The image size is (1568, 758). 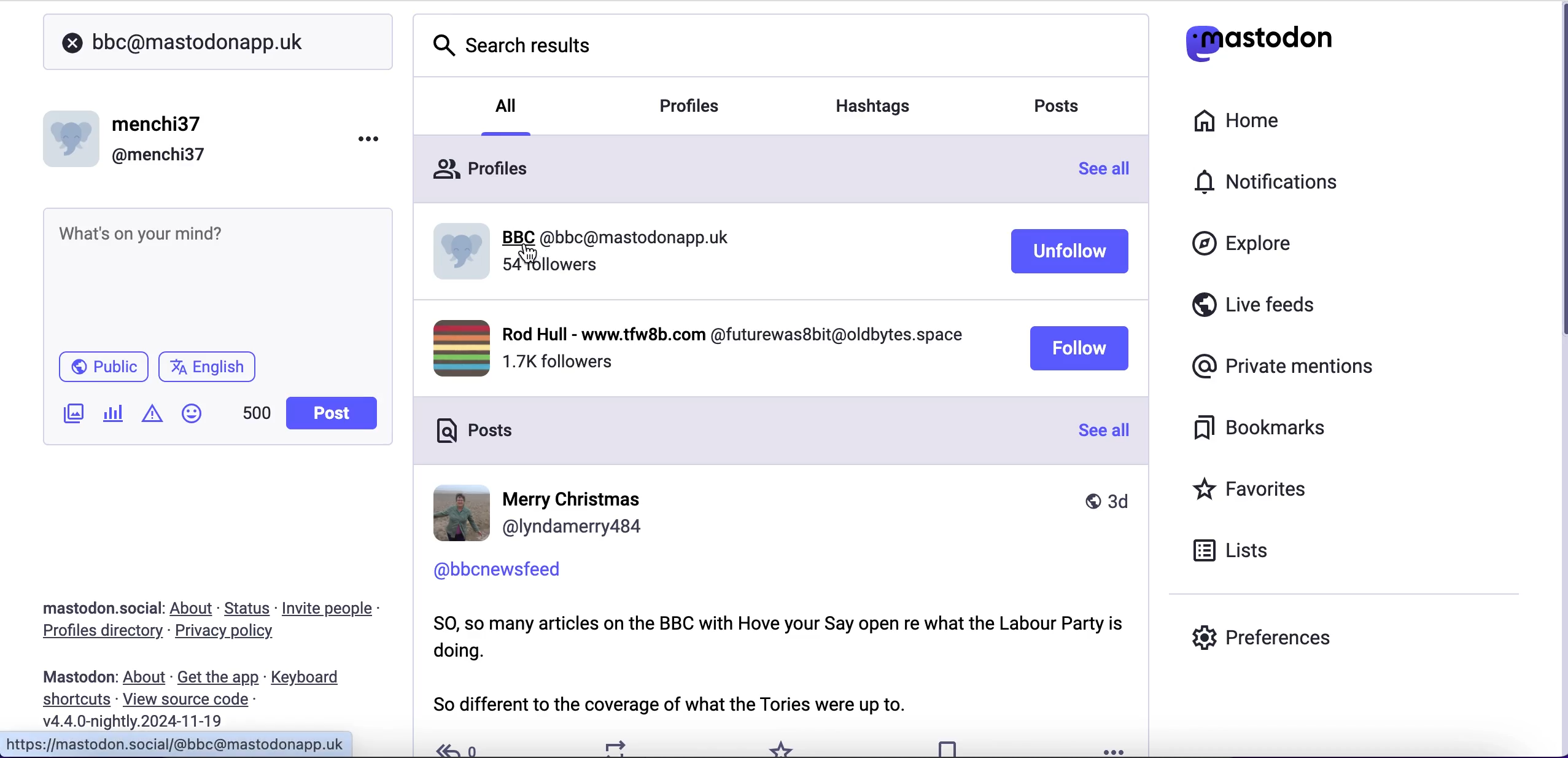 What do you see at coordinates (498, 569) in the screenshot?
I see `@bbcnewsfeed` at bounding box center [498, 569].